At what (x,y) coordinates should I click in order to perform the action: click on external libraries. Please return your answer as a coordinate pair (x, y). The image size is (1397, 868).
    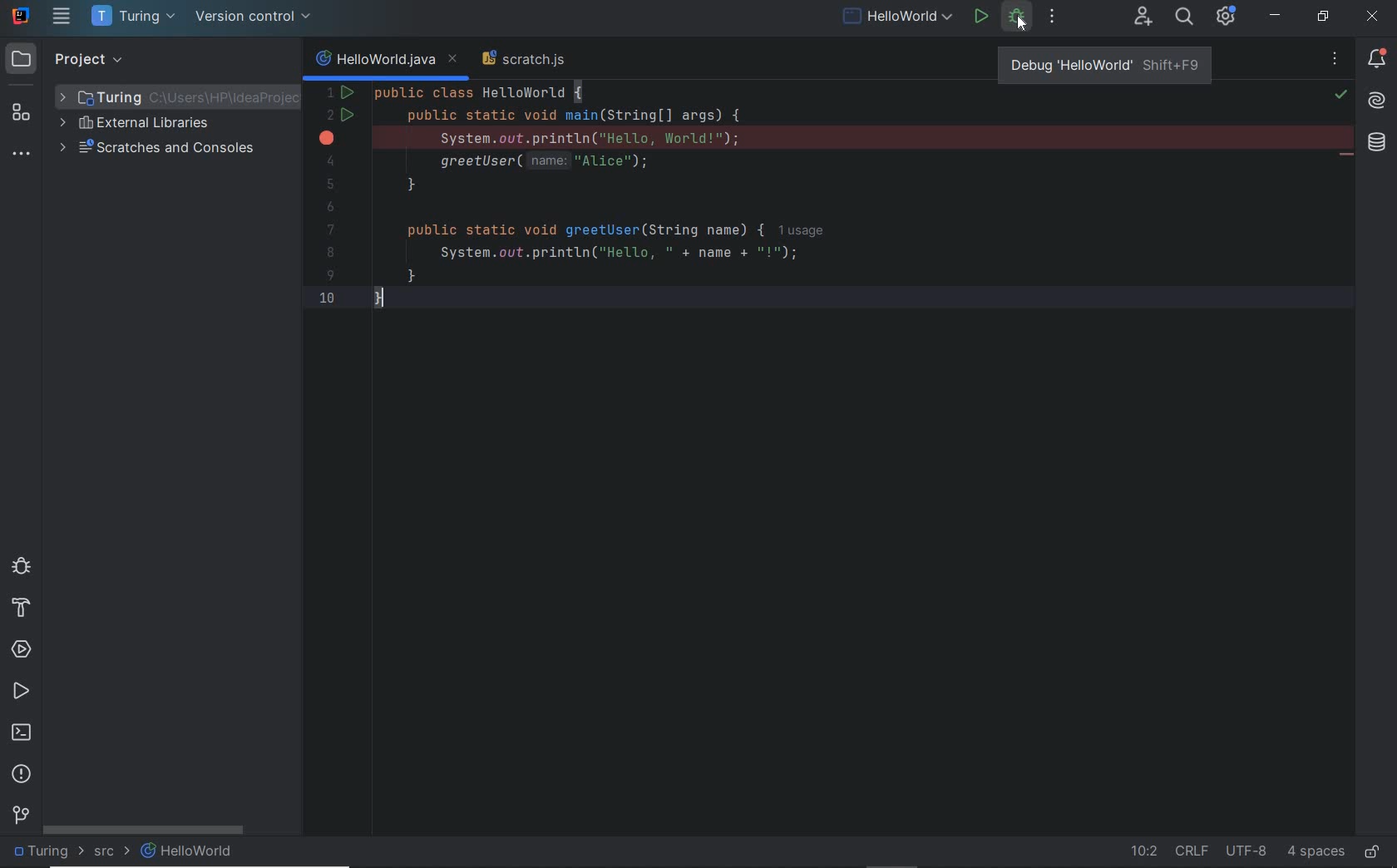
    Looking at the image, I should click on (136, 125).